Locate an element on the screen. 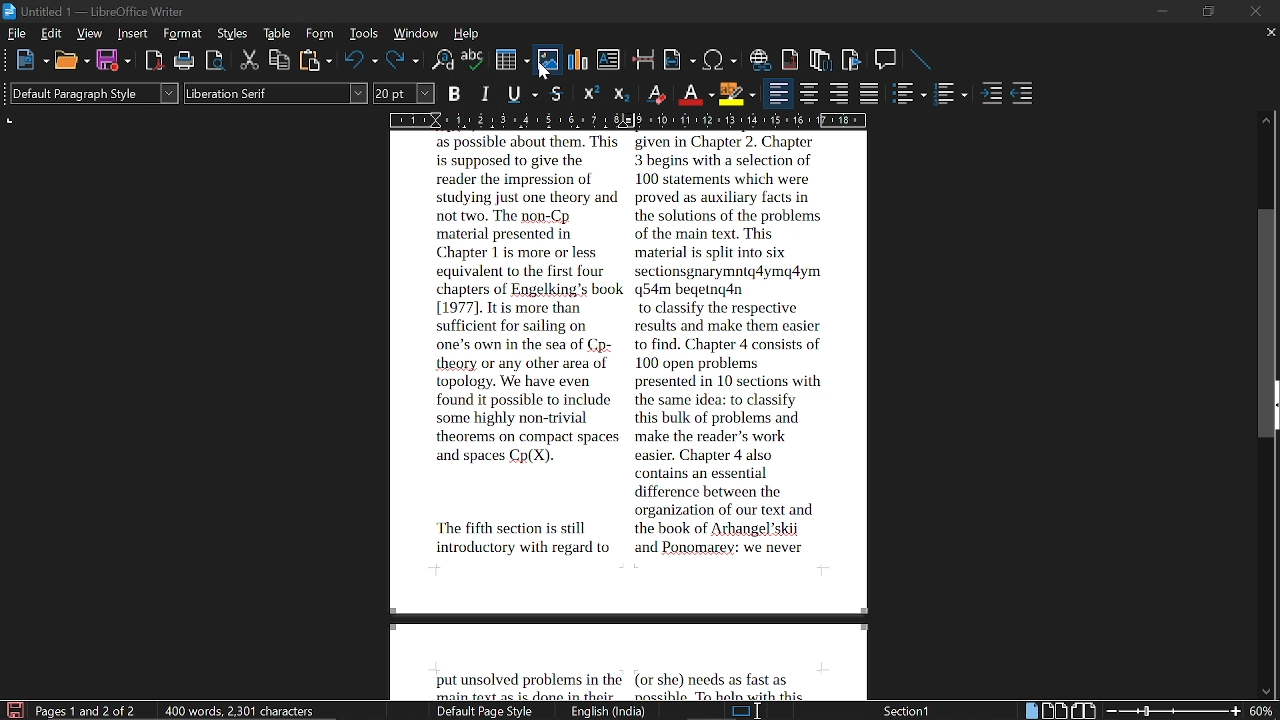 The width and height of the screenshot is (1280, 720). justified is located at coordinates (870, 94).